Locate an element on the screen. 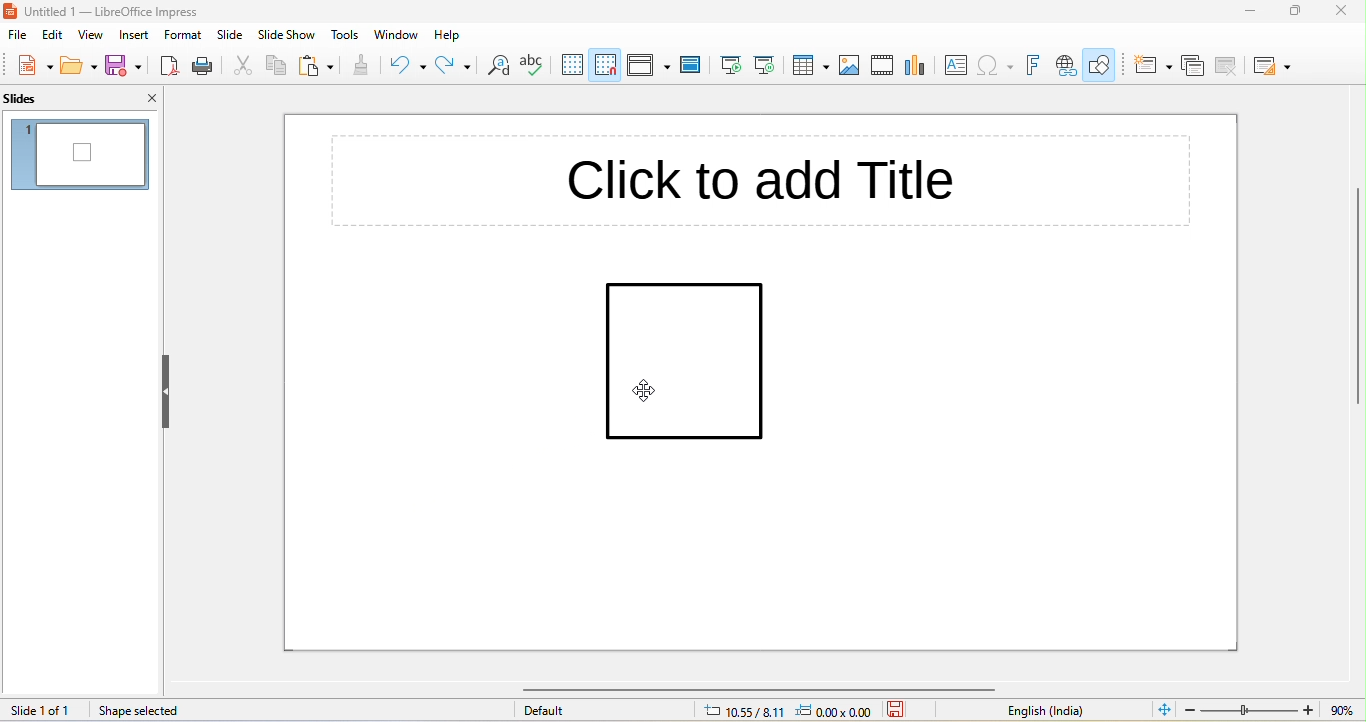 This screenshot has height=722, width=1366. format is located at coordinates (180, 35).